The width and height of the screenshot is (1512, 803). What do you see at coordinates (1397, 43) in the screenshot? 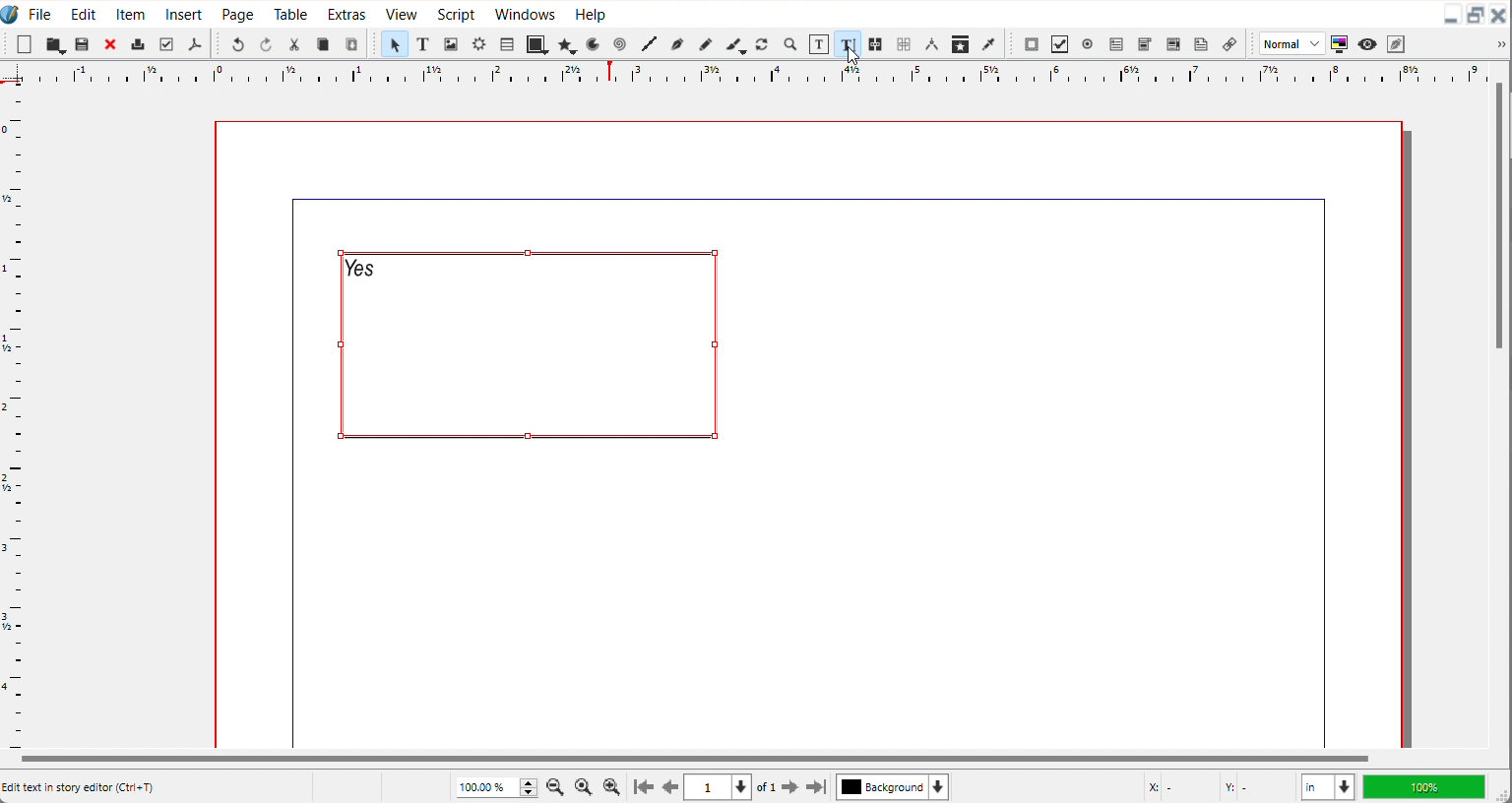
I see `Edit in preview mode` at bounding box center [1397, 43].